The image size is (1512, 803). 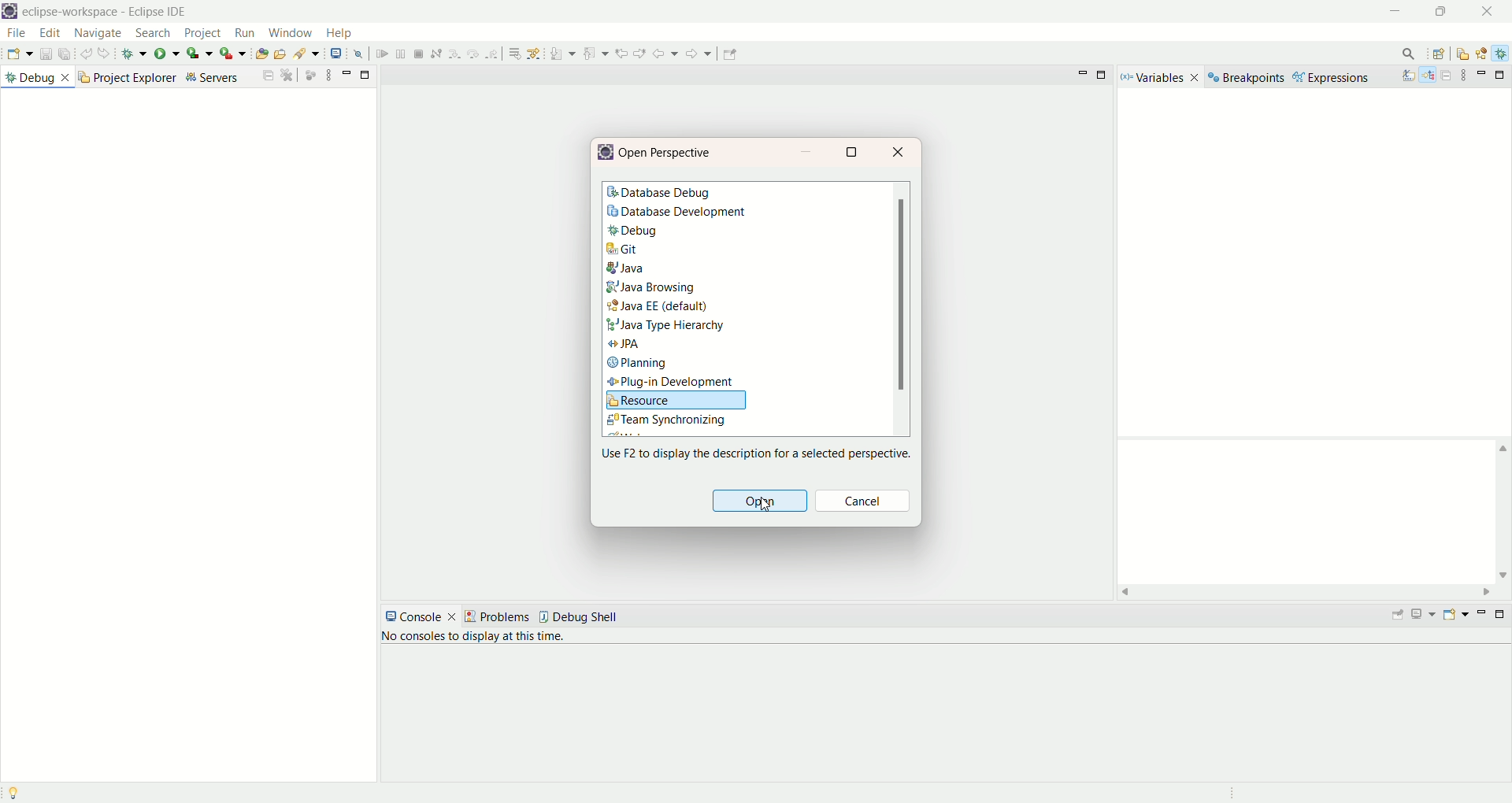 What do you see at coordinates (1429, 76) in the screenshot?
I see `show logical structure` at bounding box center [1429, 76].